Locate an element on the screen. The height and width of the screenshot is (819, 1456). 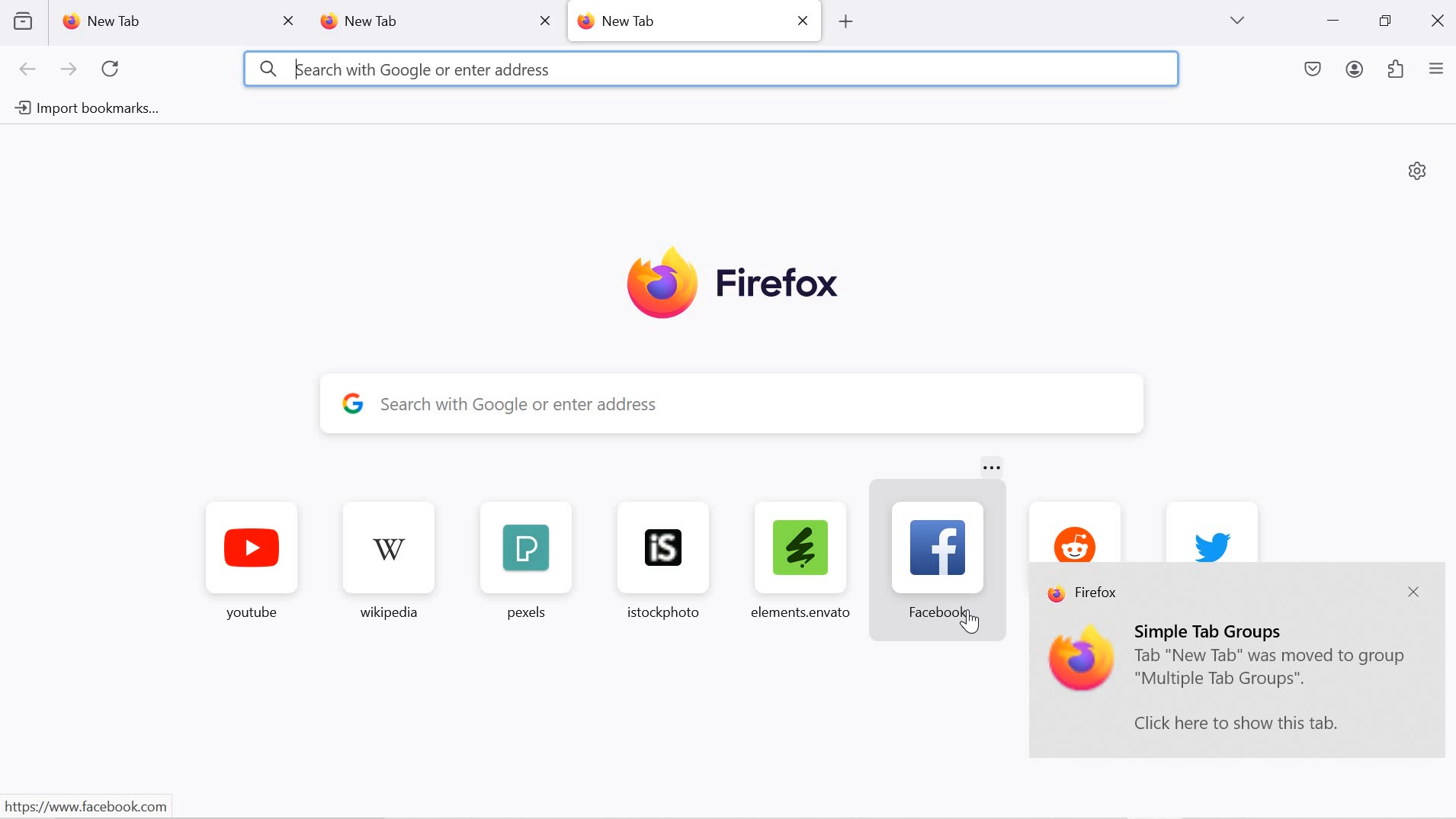
application menu is located at coordinates (1436, 70).